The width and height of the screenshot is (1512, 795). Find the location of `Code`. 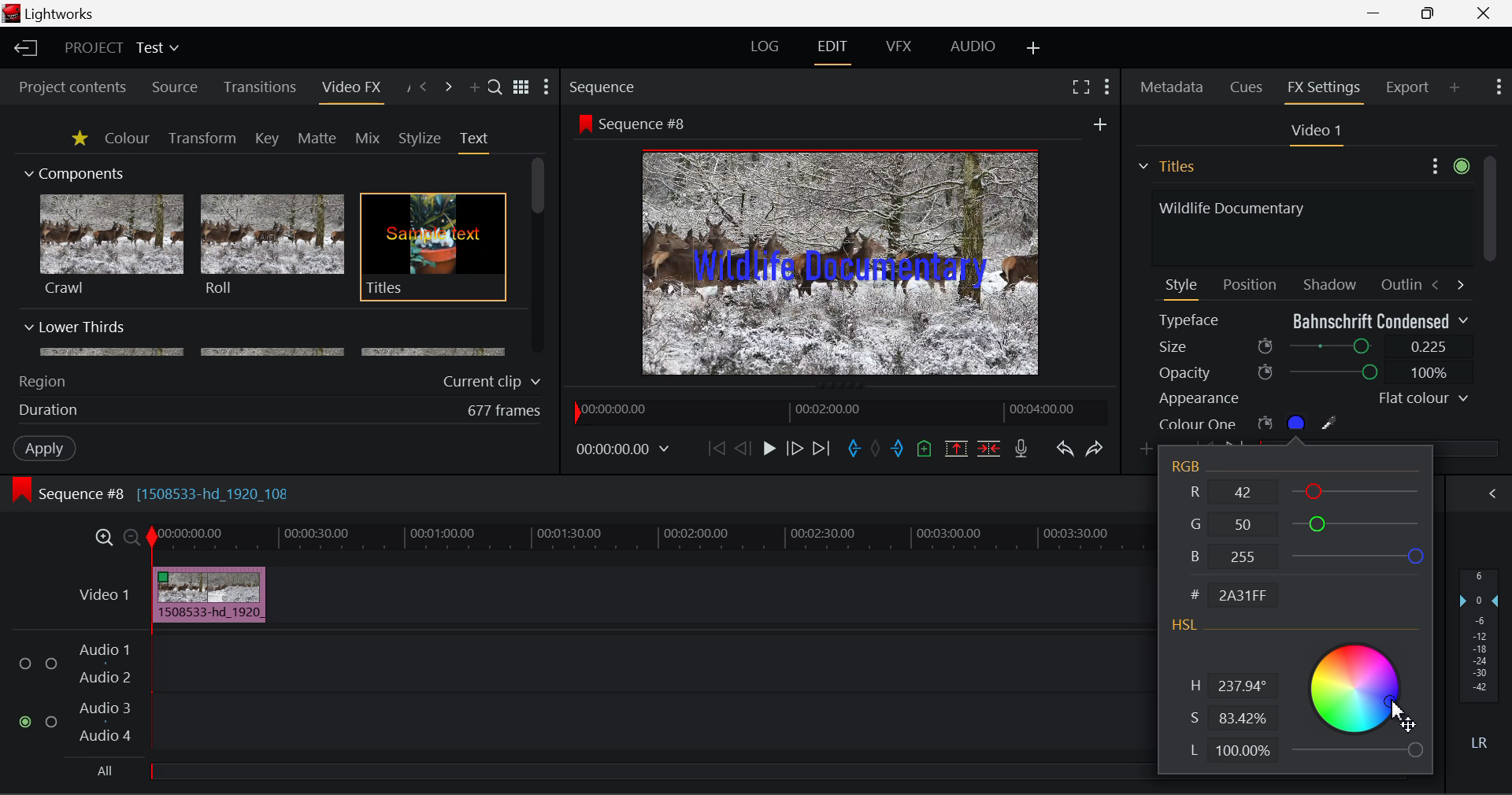

Code is located at coordinates (1238, 597).